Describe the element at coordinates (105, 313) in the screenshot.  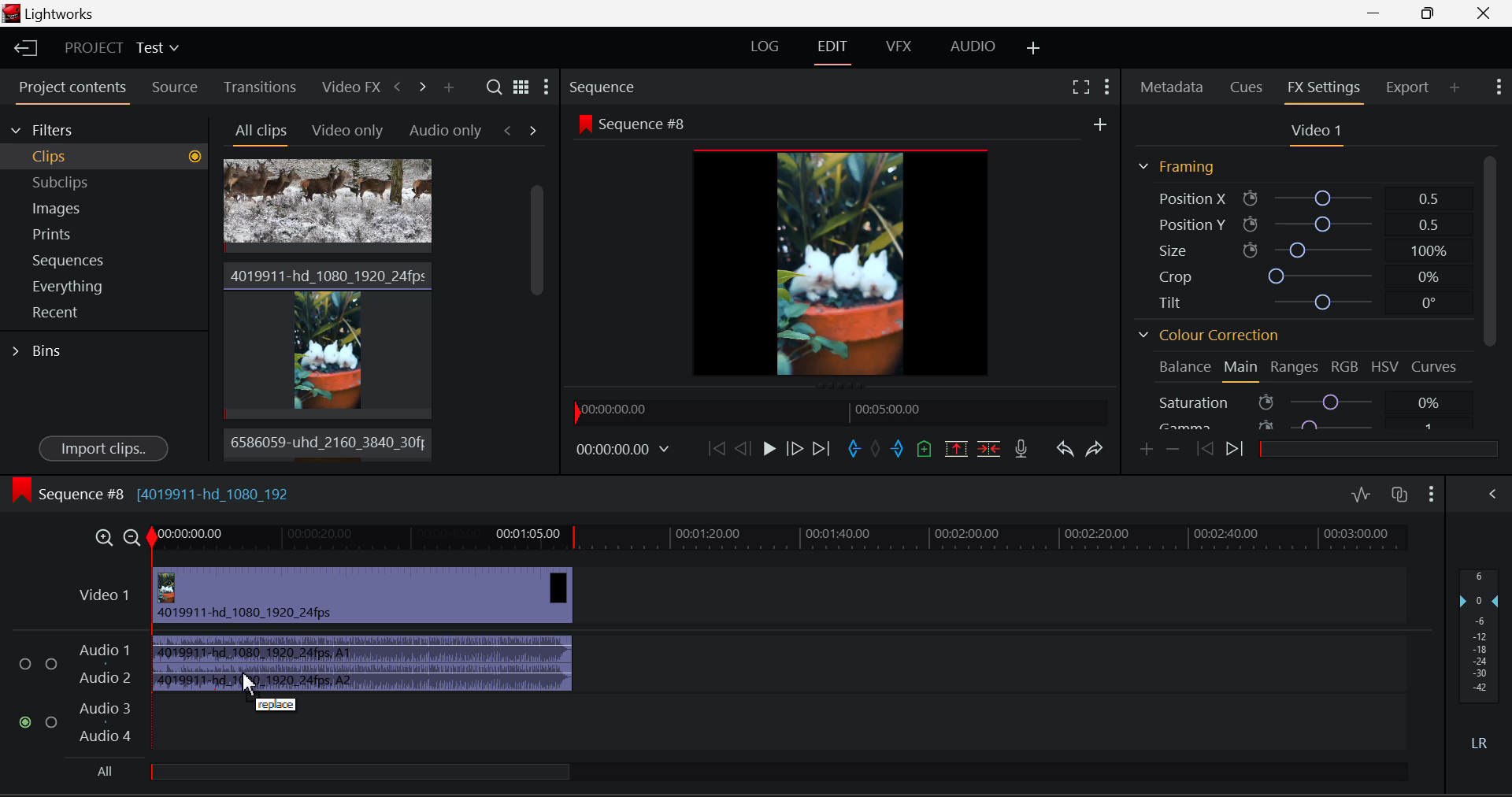
I see `Recent` at that location.